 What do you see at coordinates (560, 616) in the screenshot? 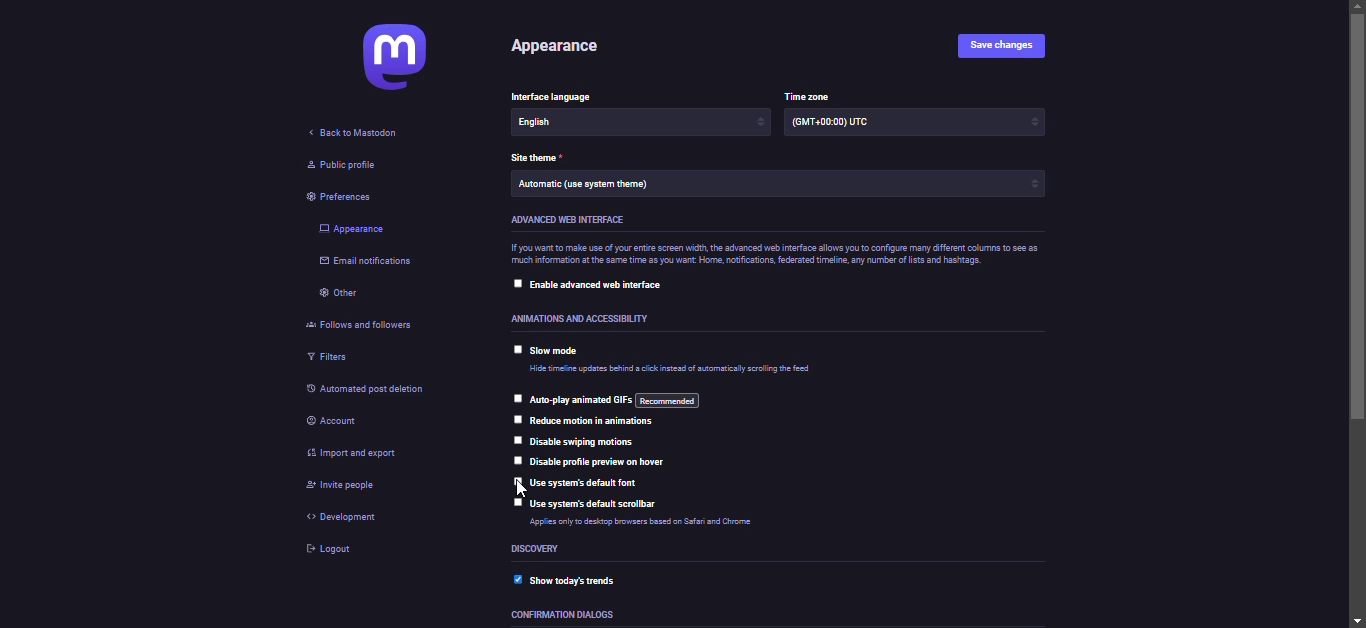
I see `dialoges` at bounding box center [560, 616].